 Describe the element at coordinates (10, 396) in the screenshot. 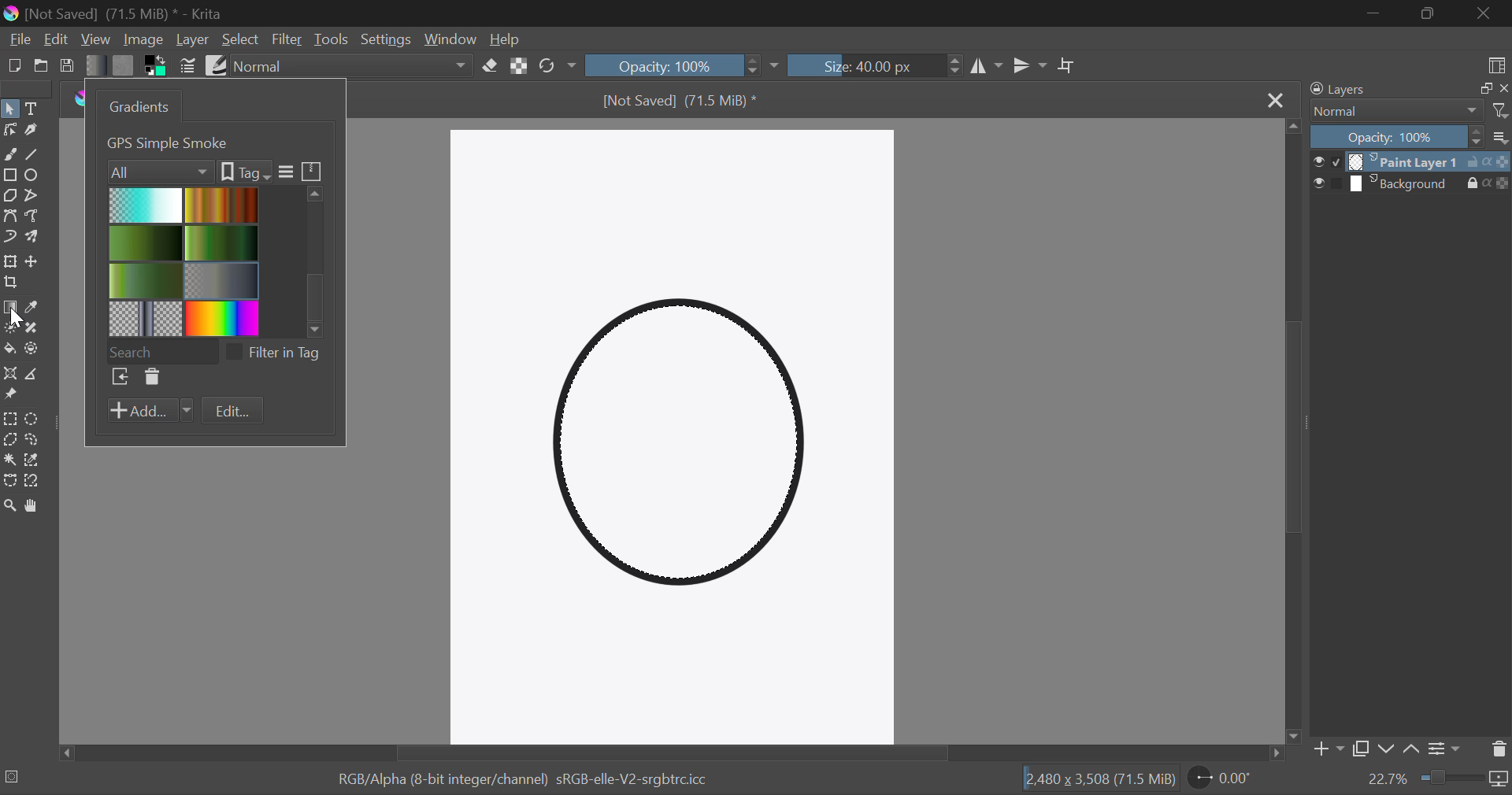

I see `Reference Images` at that location.